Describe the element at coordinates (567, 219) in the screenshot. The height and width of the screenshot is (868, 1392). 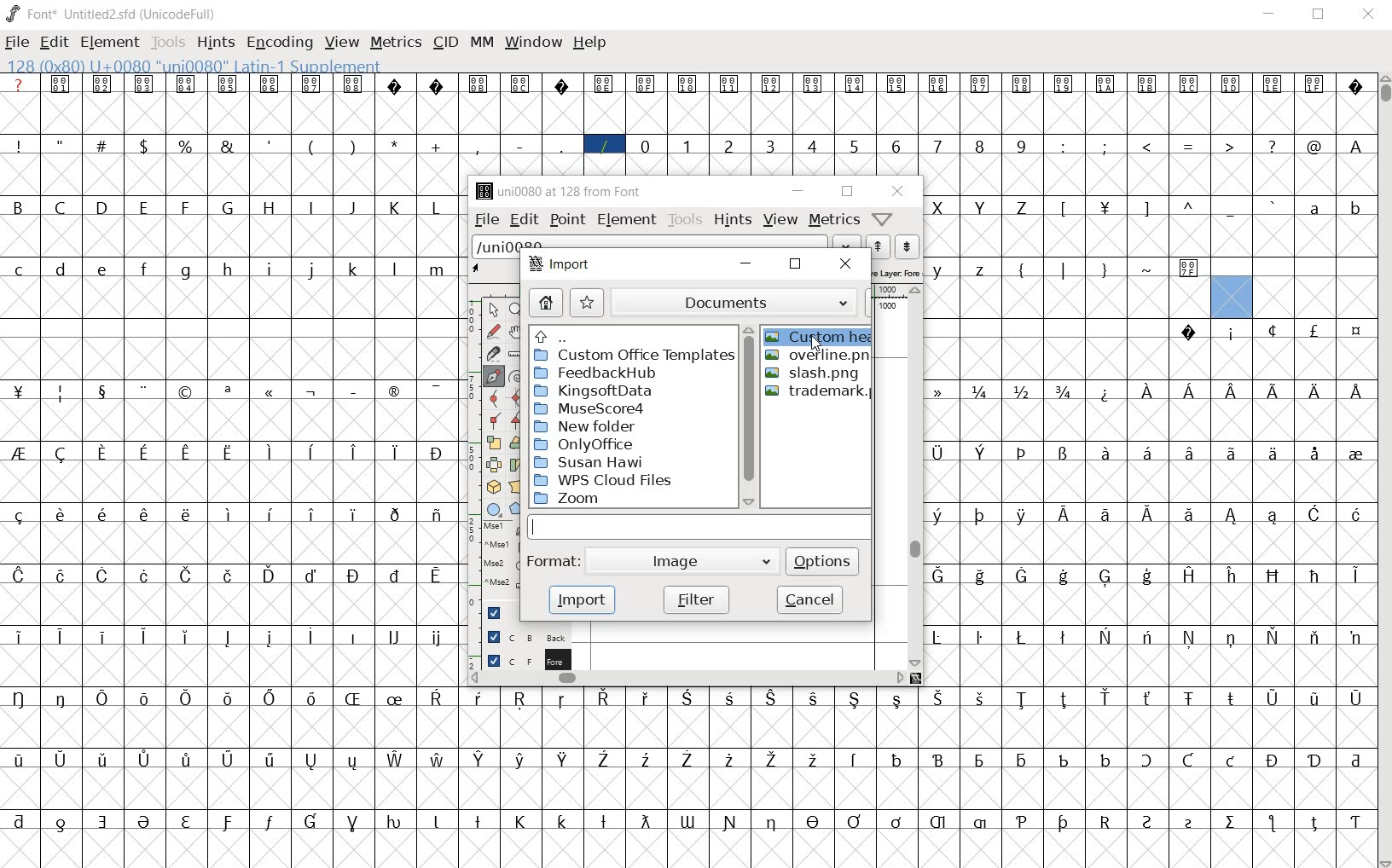
I see `point` at that location.